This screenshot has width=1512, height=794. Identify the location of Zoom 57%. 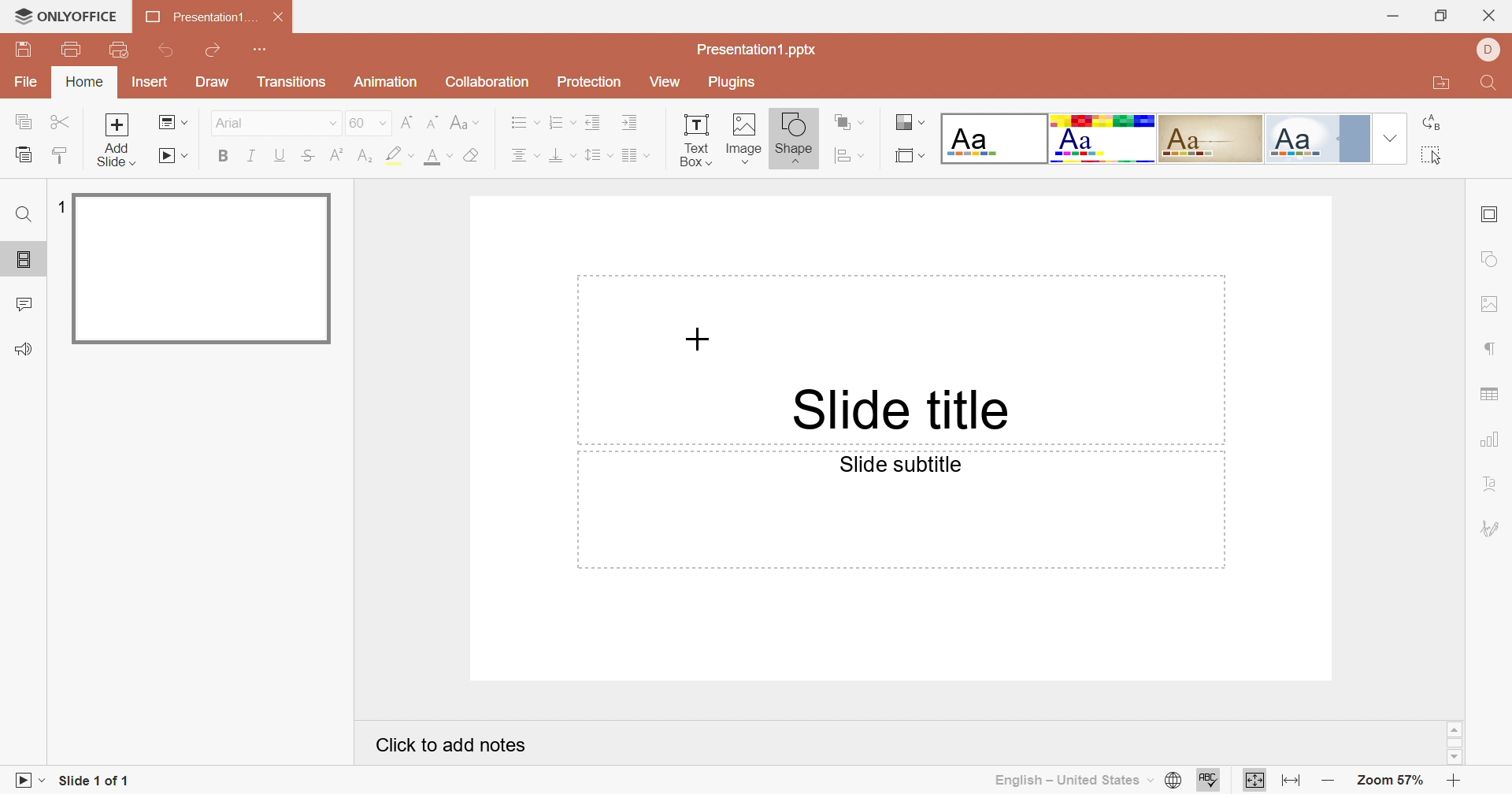
(1392, 781).